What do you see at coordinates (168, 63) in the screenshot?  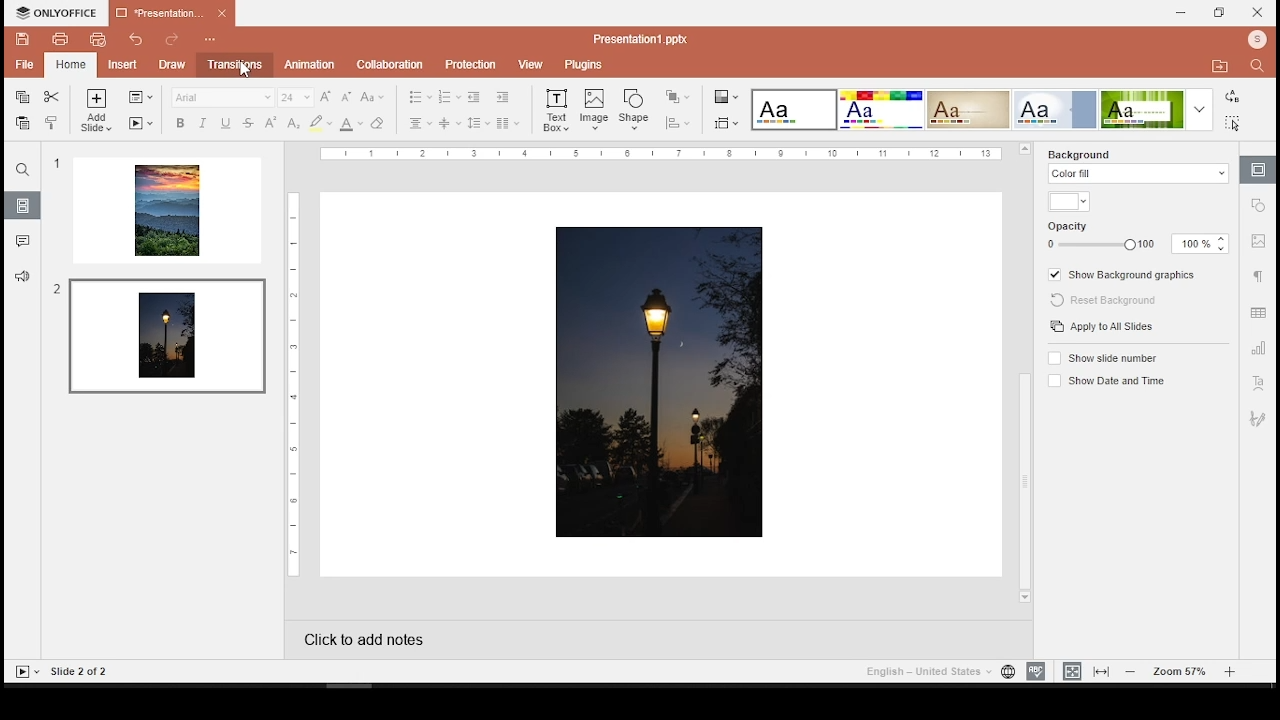 I see `draw` at bounding box center [168, 63].